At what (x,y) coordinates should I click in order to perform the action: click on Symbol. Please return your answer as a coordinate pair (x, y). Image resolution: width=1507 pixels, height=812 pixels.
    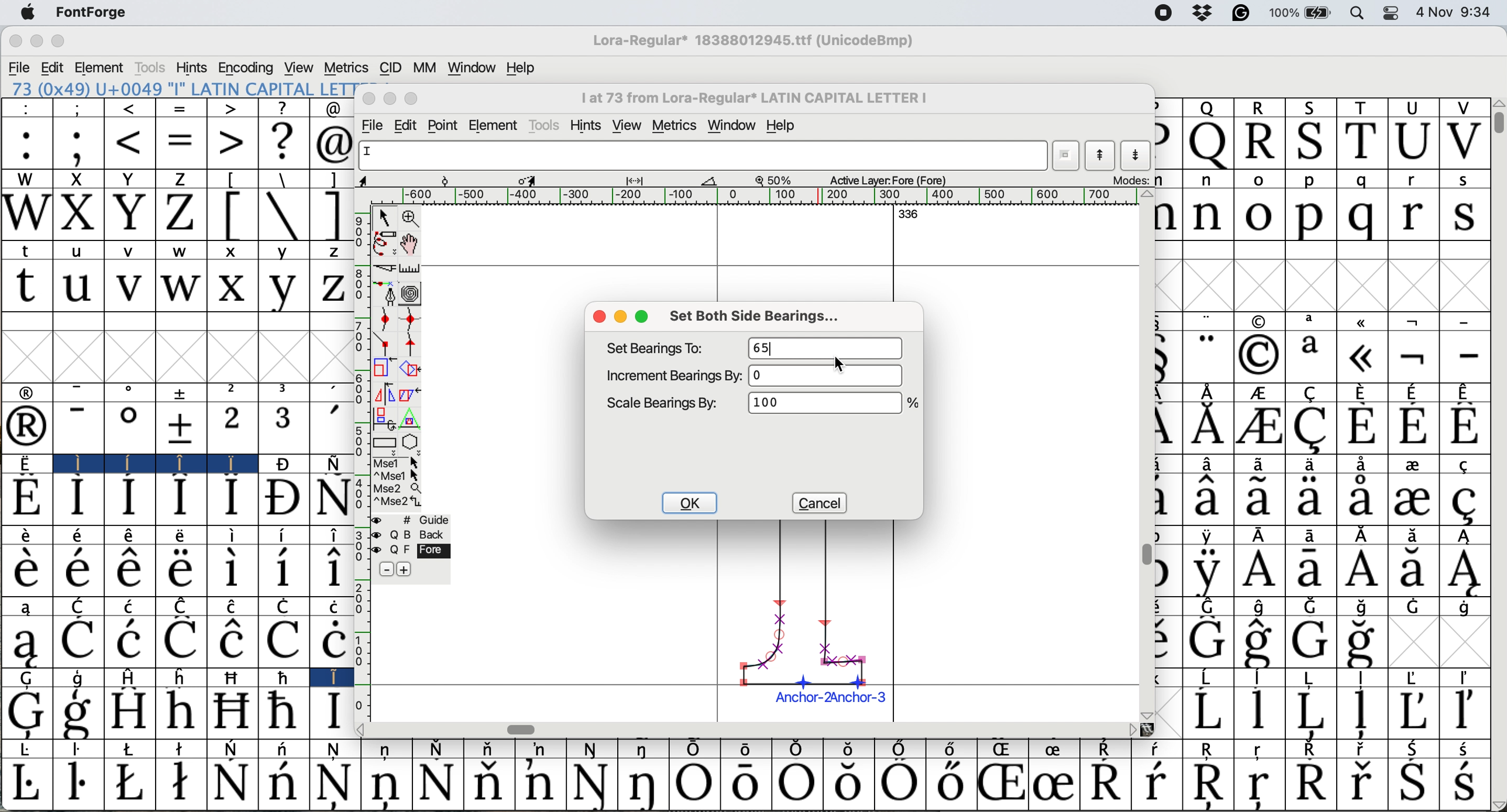
    Looking at the image, I should click on (436, 748).